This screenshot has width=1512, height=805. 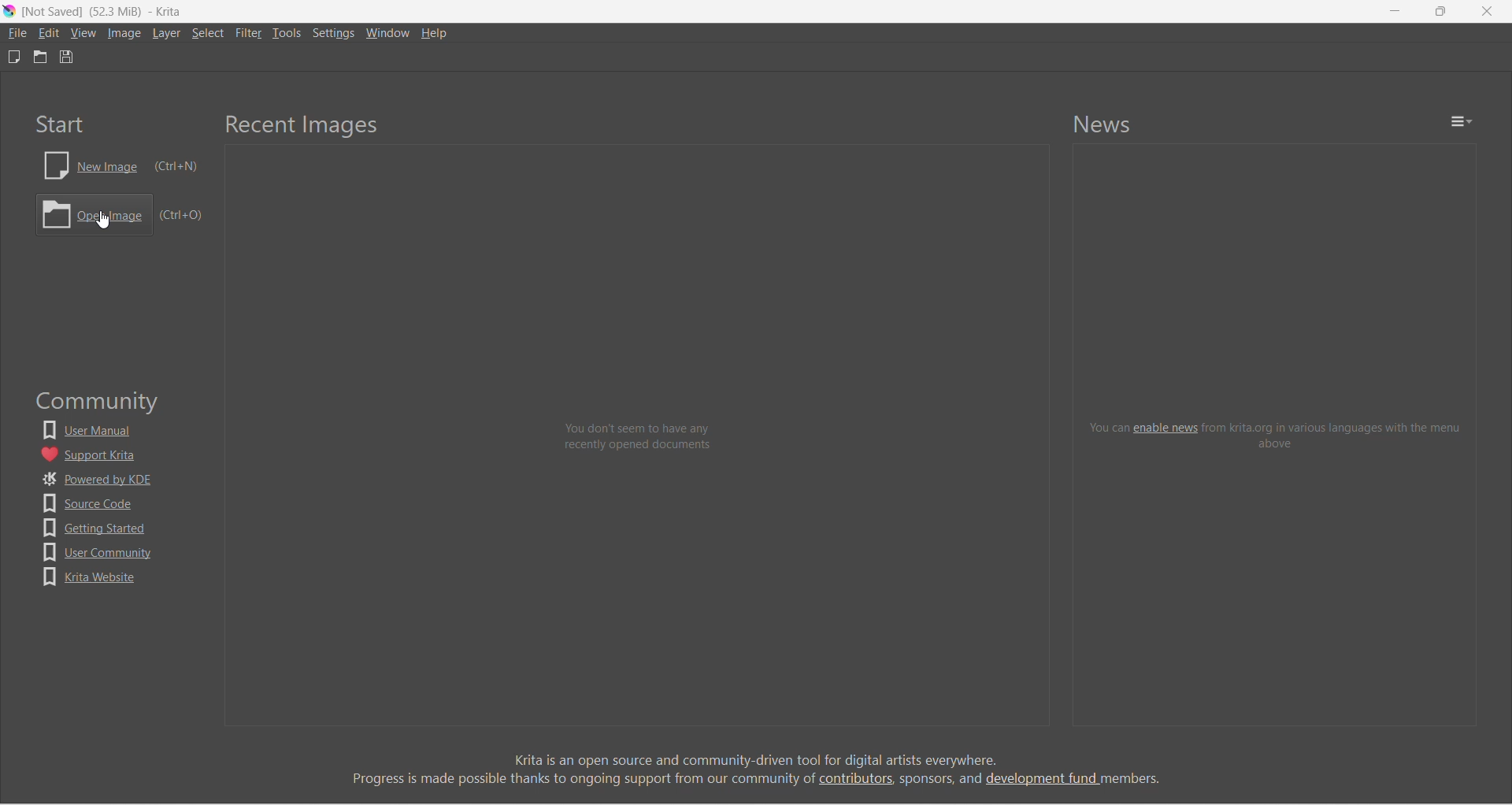 What do you see at coordinates (1103, 124) in the screenshot?
I see `news` at bounding box center [1103, 124].